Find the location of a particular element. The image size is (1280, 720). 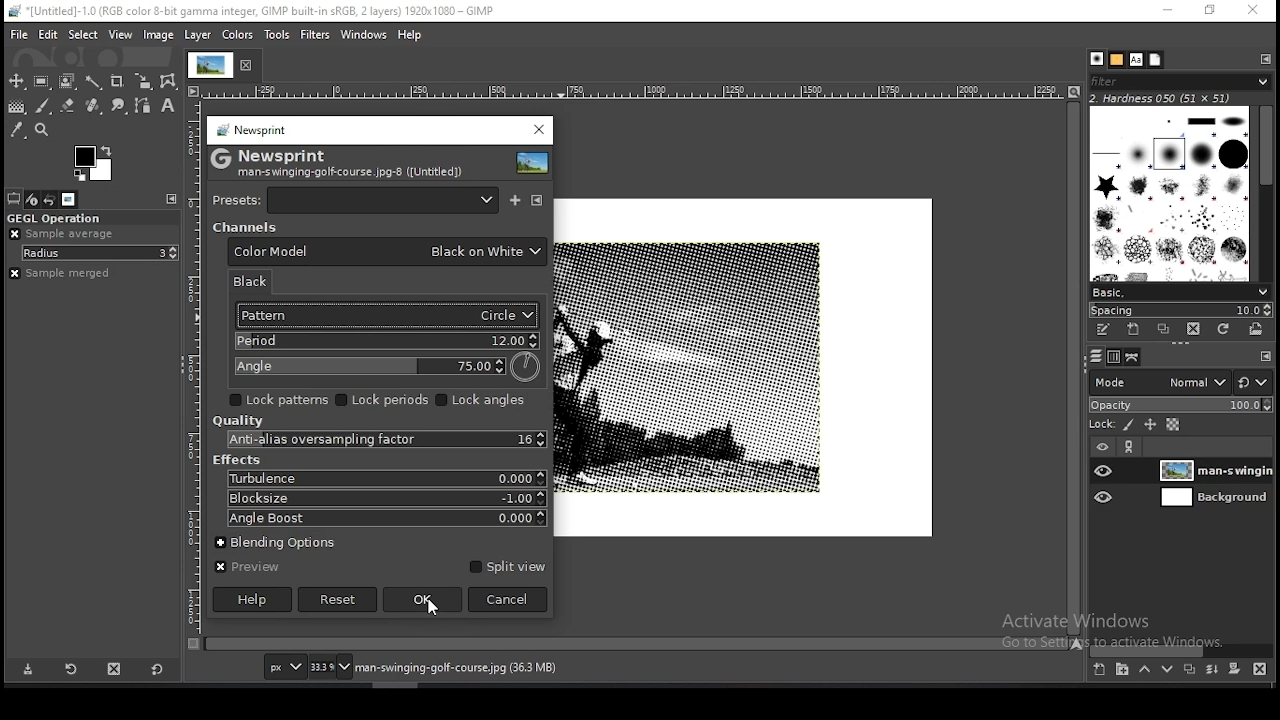

blocksize is located at coordinates (384, 497).